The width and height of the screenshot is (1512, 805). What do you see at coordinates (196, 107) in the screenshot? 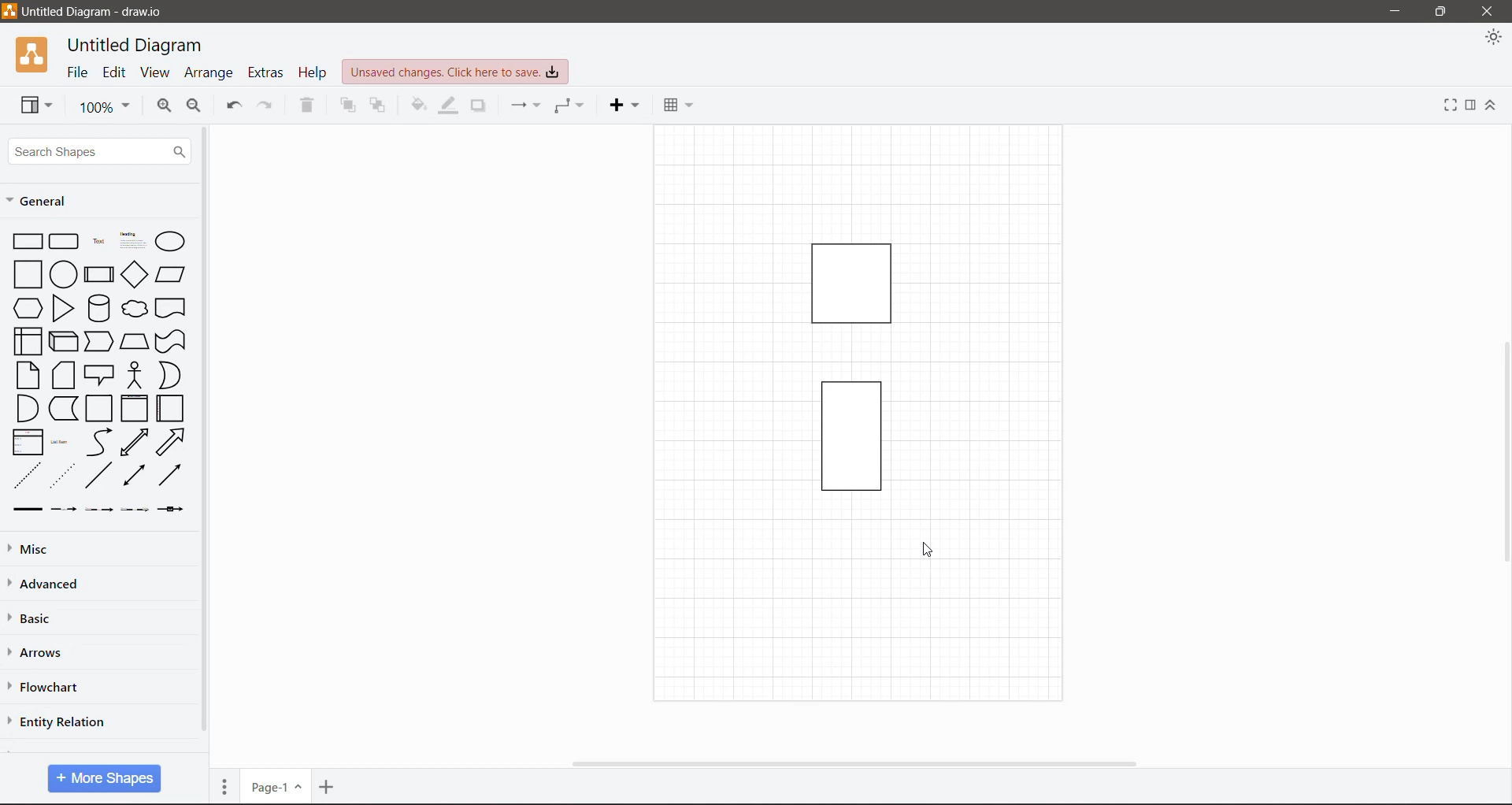
I see `Zoom Out` at bounding box center [196, 107].